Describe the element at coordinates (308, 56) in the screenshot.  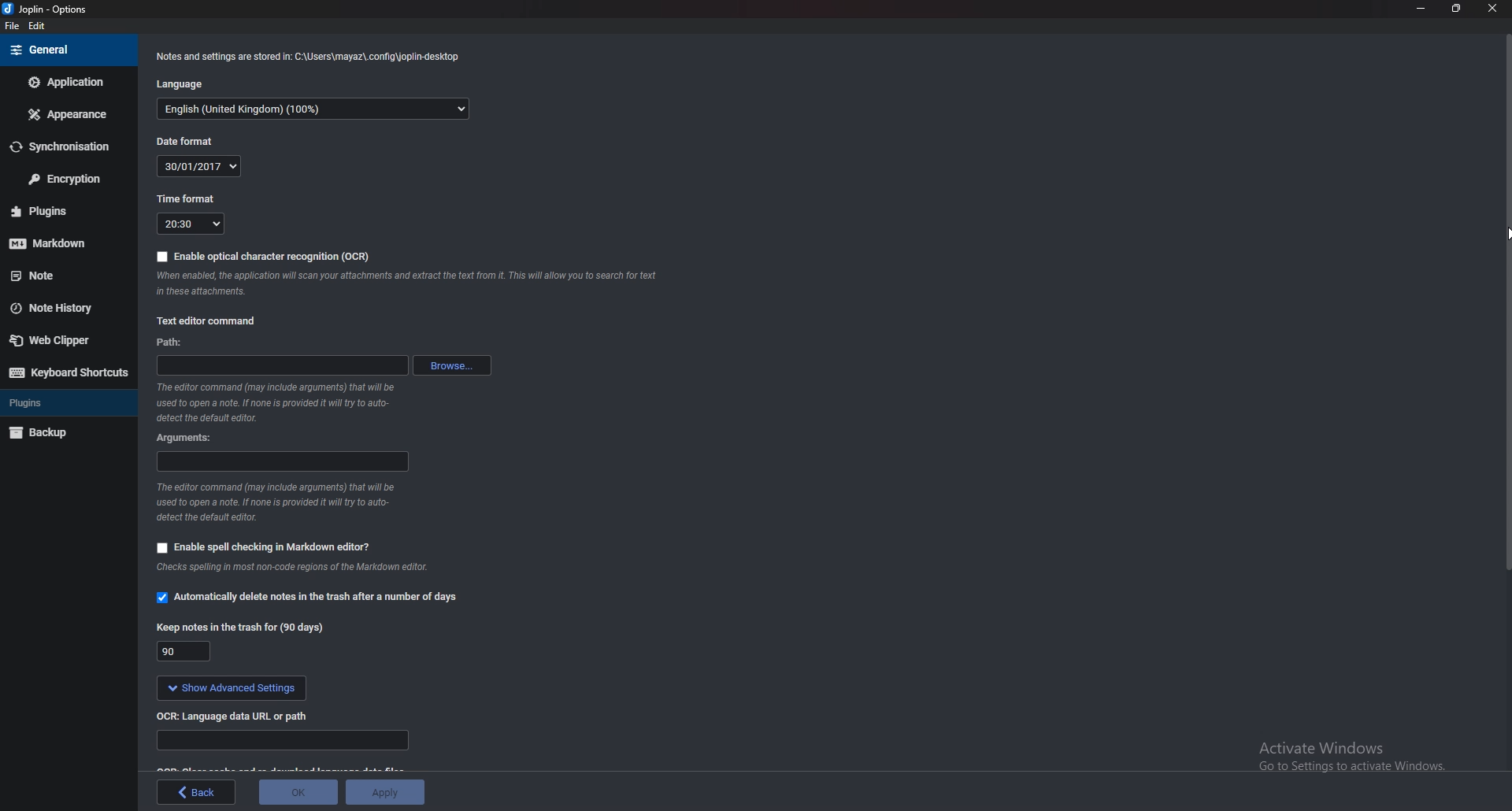
I see `info` at that location.